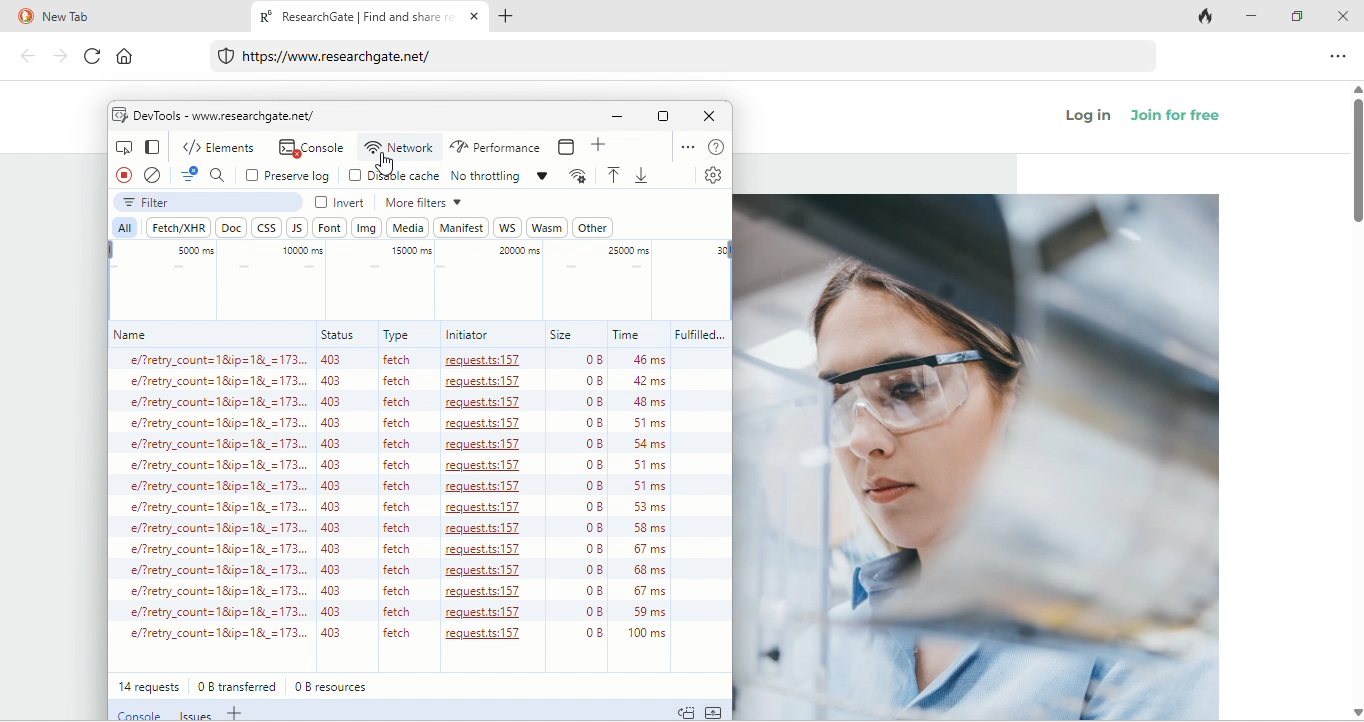 This screenshot has height=722, width=1364. Describe the element at coordinates (408, 228) in the screenshot. I see `media` at that location.